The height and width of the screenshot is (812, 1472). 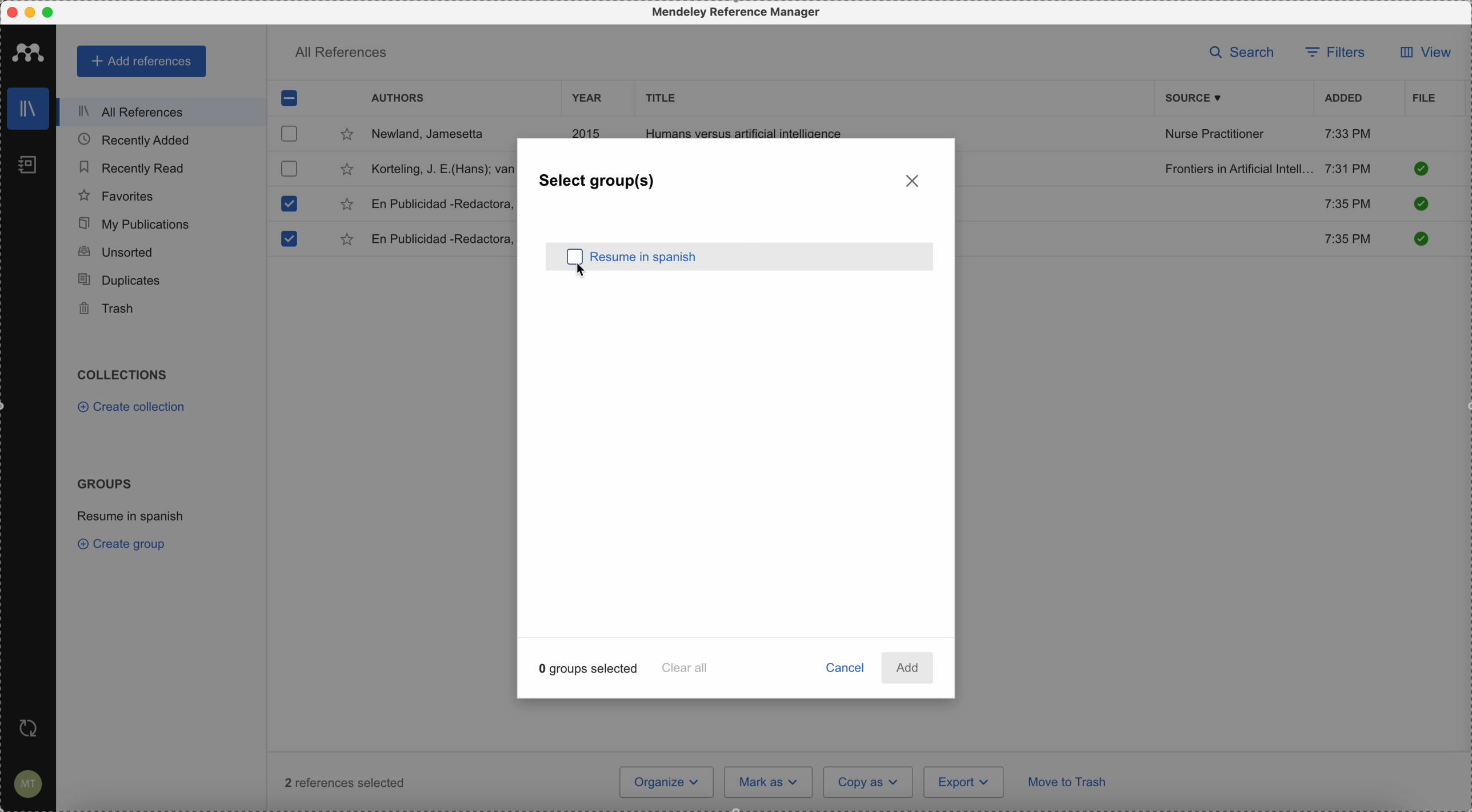 What do you see at coordinates (763, 258) in the screenshot?
I see `resume in spanish` at bounding box center [763, 258].